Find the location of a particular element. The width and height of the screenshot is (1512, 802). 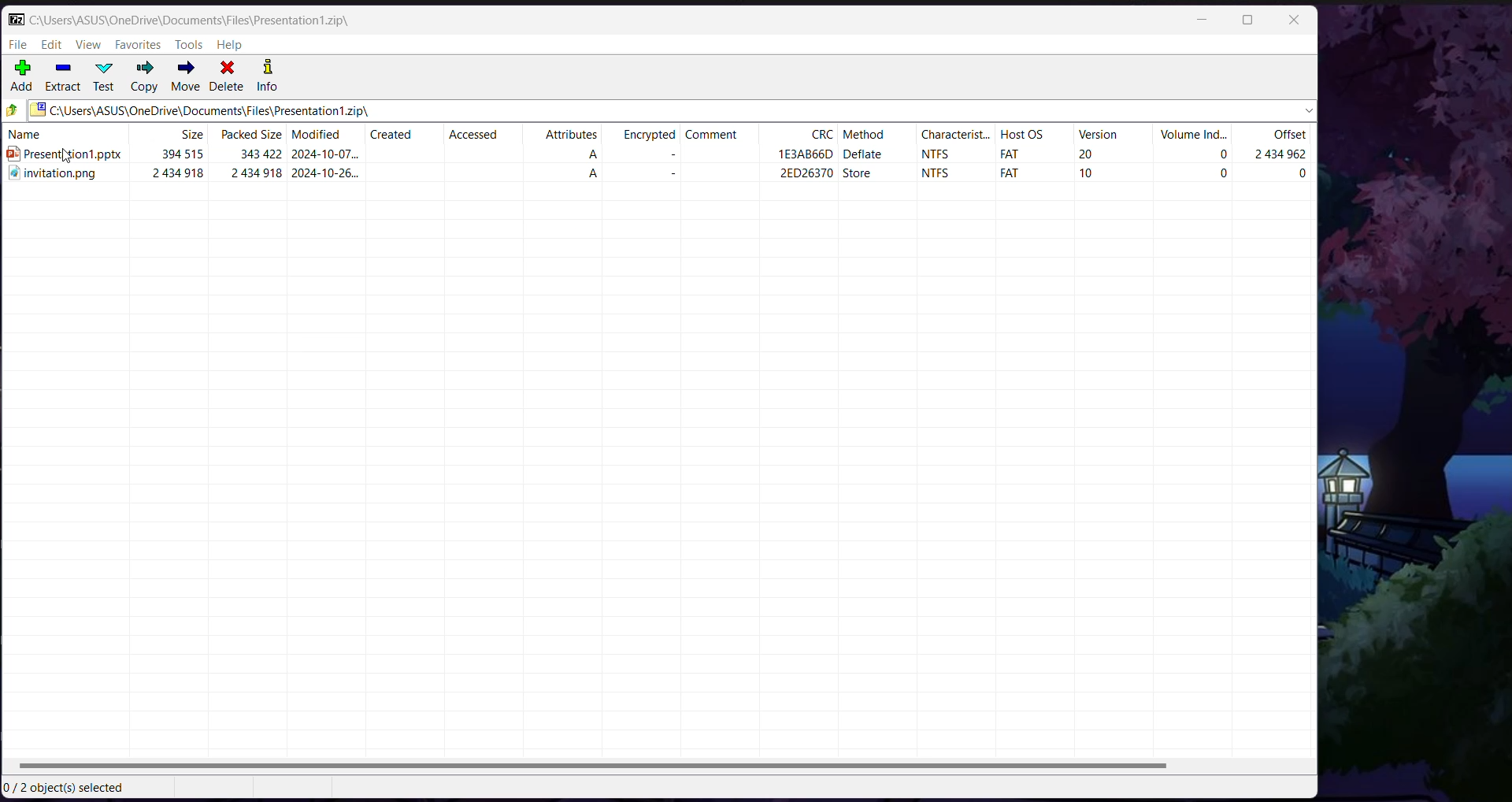

 is located at coordinates (65, 789).